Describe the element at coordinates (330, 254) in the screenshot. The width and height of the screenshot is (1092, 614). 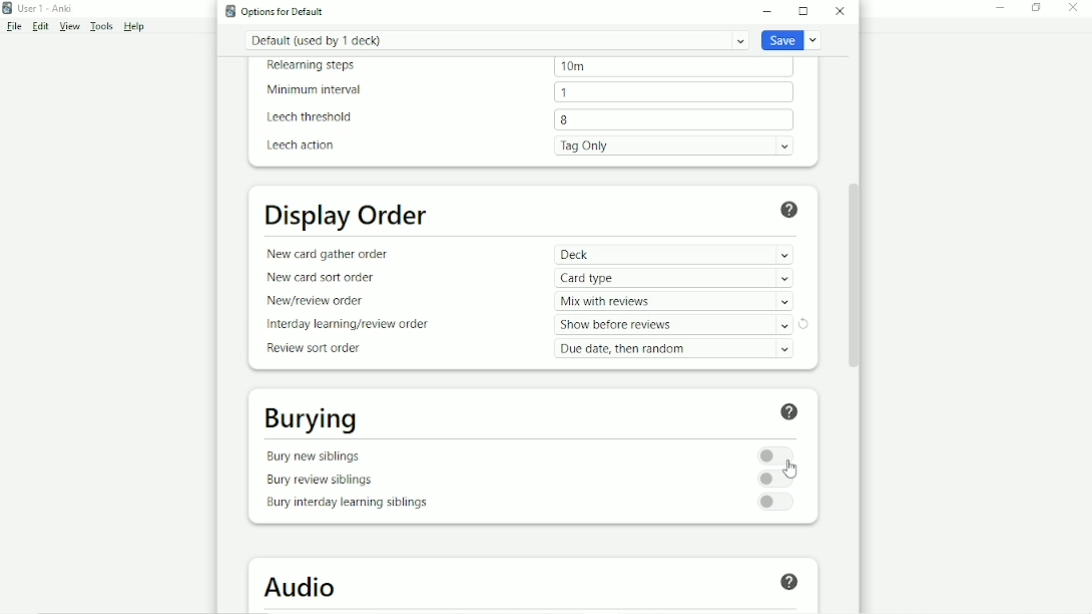
I see `New card gather order` at that location.